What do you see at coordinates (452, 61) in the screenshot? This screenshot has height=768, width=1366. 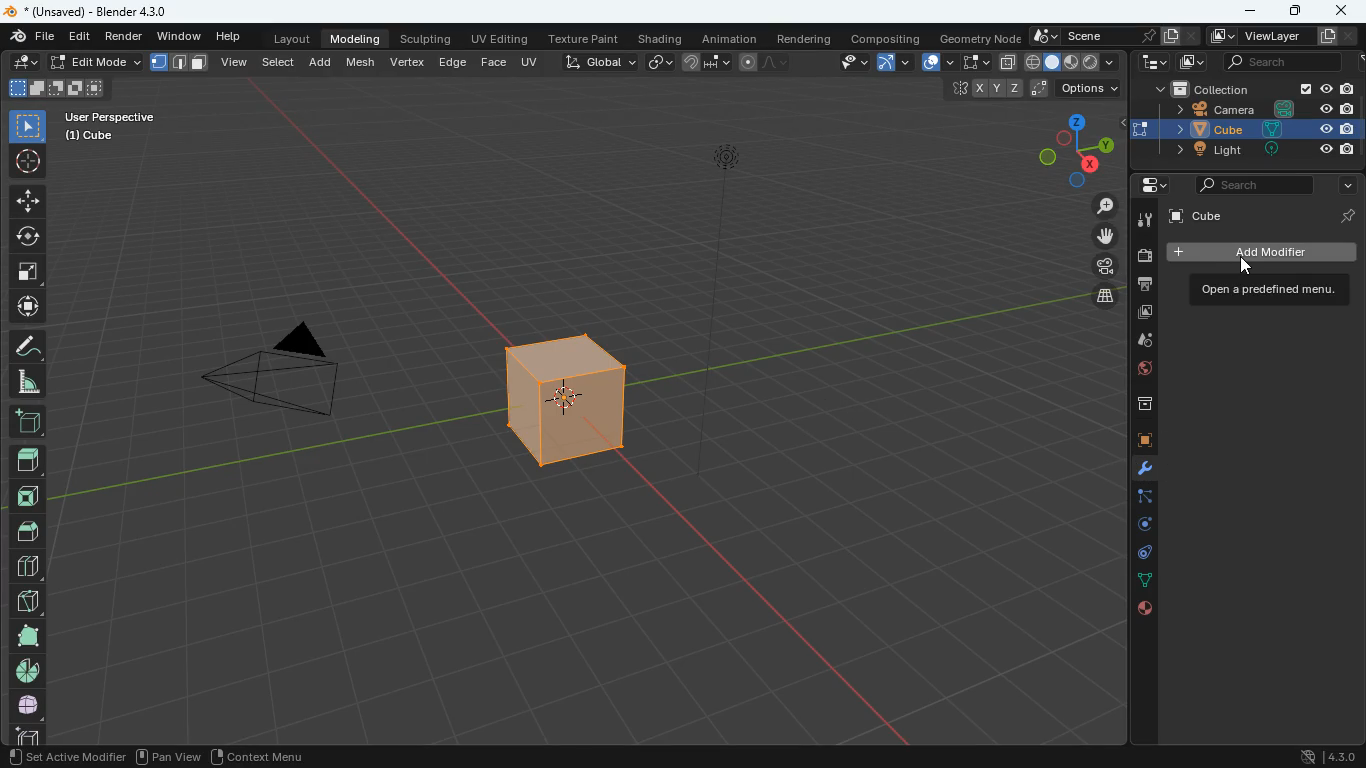 I see `edge` at bounding box center [452, 61].